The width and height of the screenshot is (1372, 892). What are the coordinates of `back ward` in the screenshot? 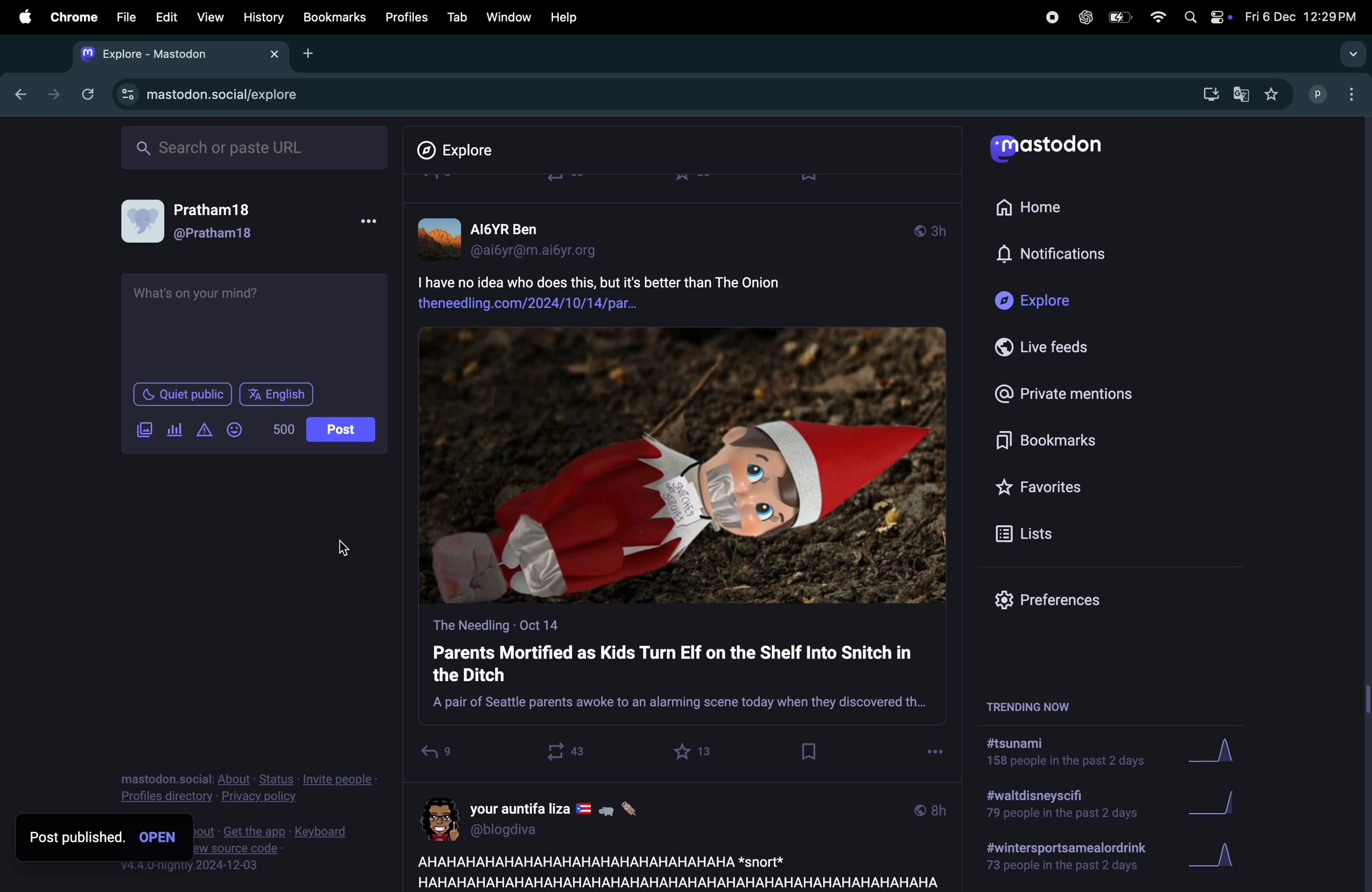 It's located at (17, 92).